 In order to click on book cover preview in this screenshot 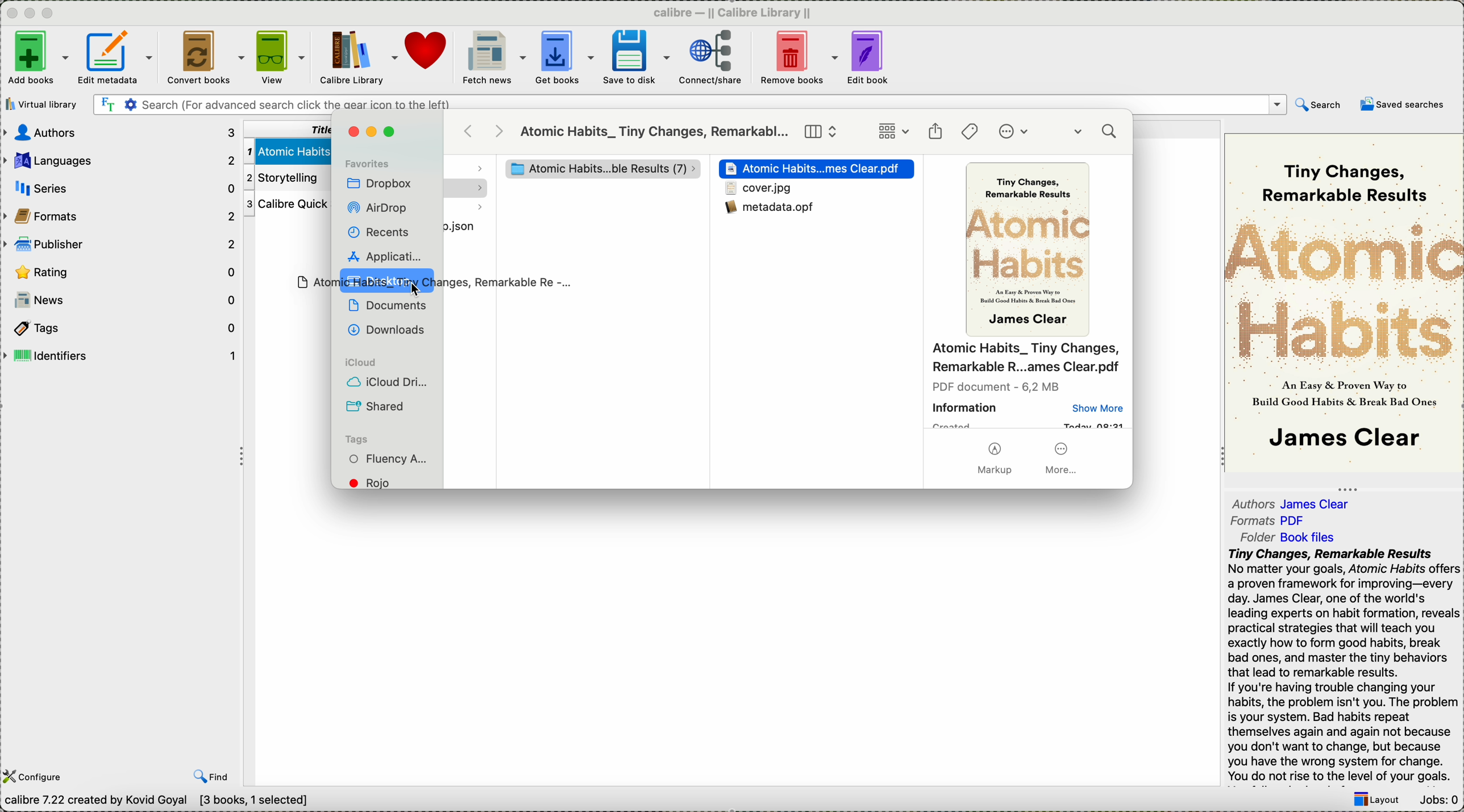, I will do `click(1344, 302)`.